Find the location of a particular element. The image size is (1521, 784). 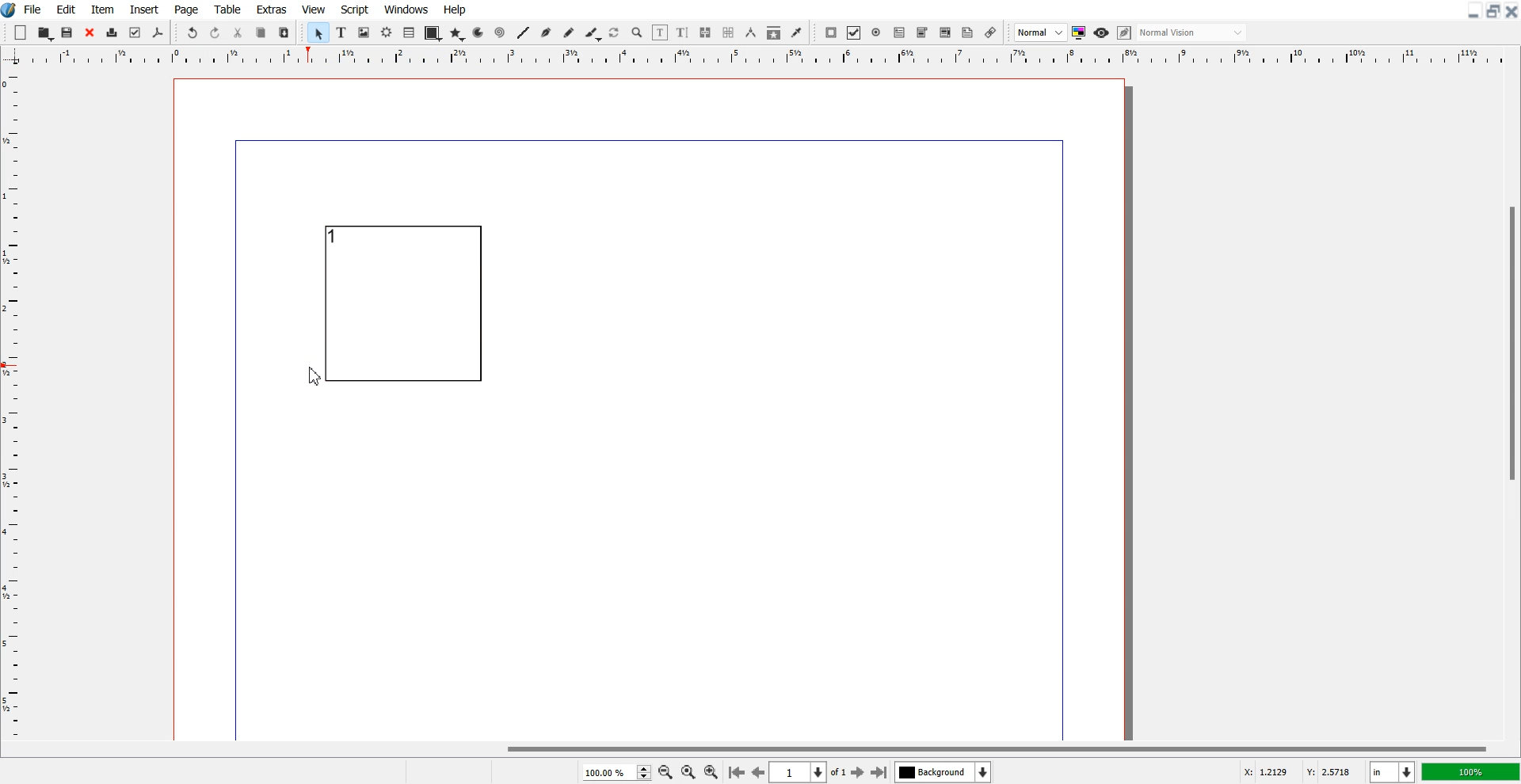

PDF Text field is located at coordinates (922, 33).